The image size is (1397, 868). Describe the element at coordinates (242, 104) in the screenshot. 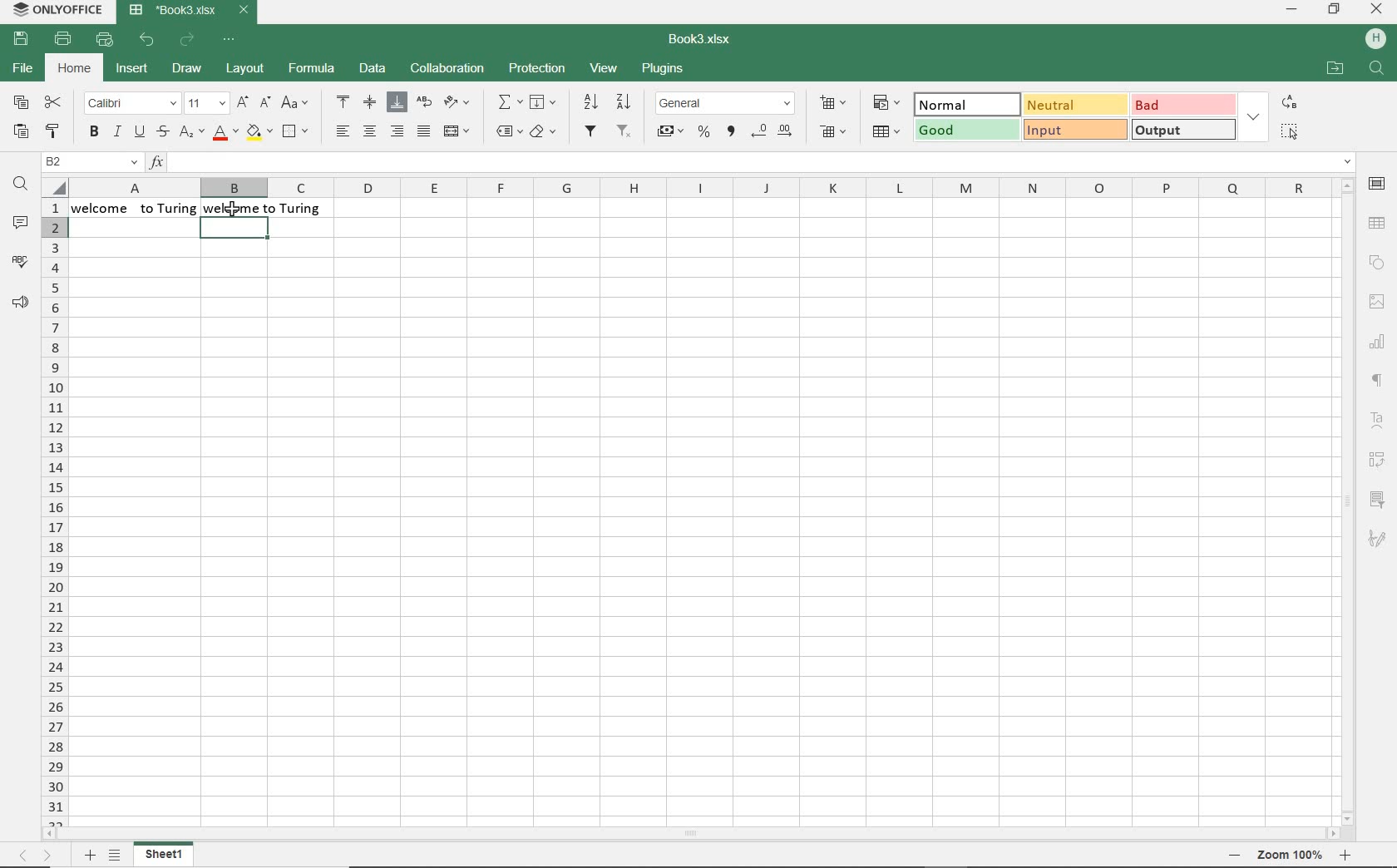

I see `increment font size` at that location.